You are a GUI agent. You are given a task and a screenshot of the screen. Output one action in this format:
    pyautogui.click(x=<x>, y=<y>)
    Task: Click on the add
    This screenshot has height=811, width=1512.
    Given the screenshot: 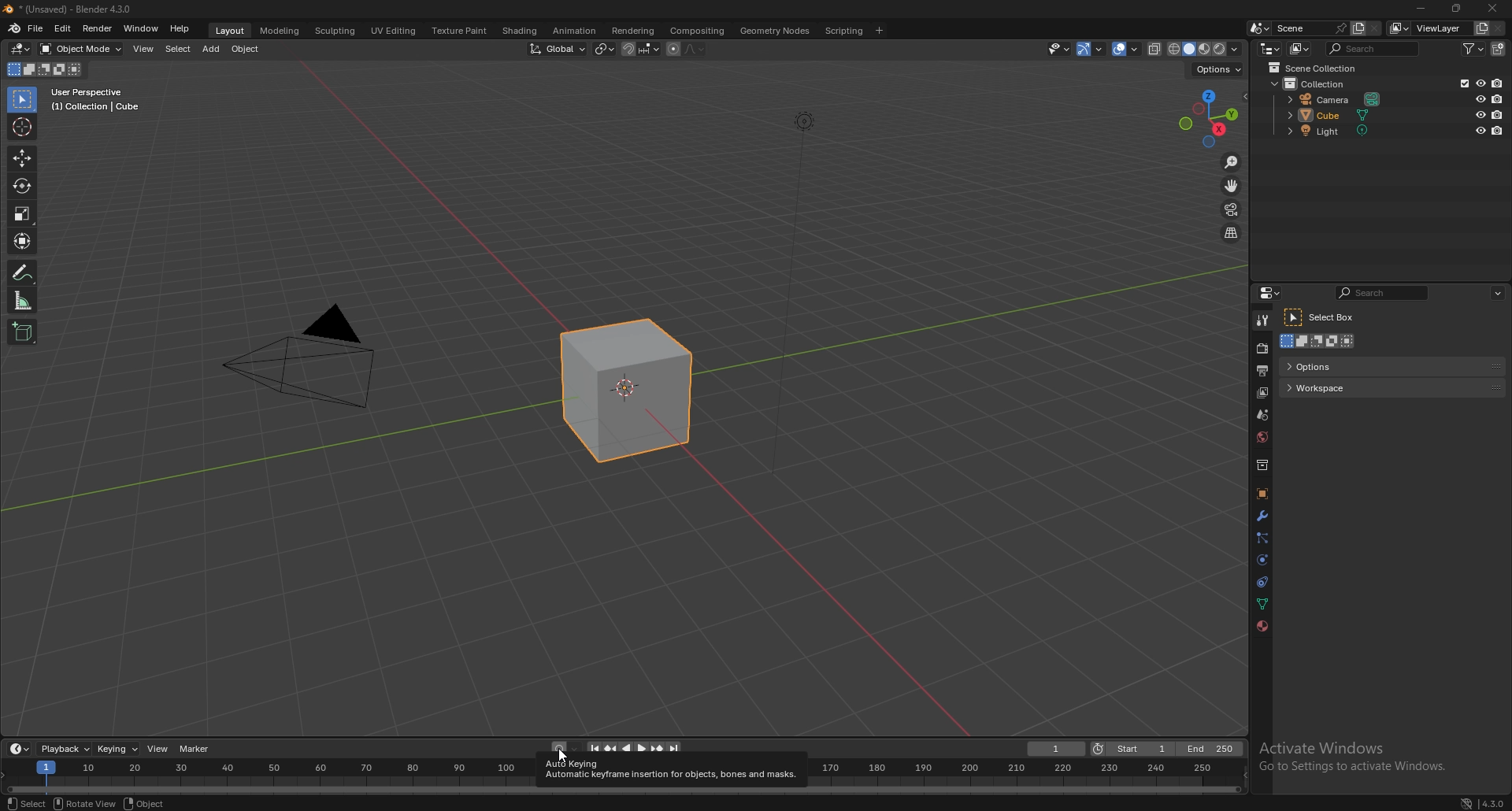 What is the action you would take?
    pyautogui.click(x=211, y=50)
    